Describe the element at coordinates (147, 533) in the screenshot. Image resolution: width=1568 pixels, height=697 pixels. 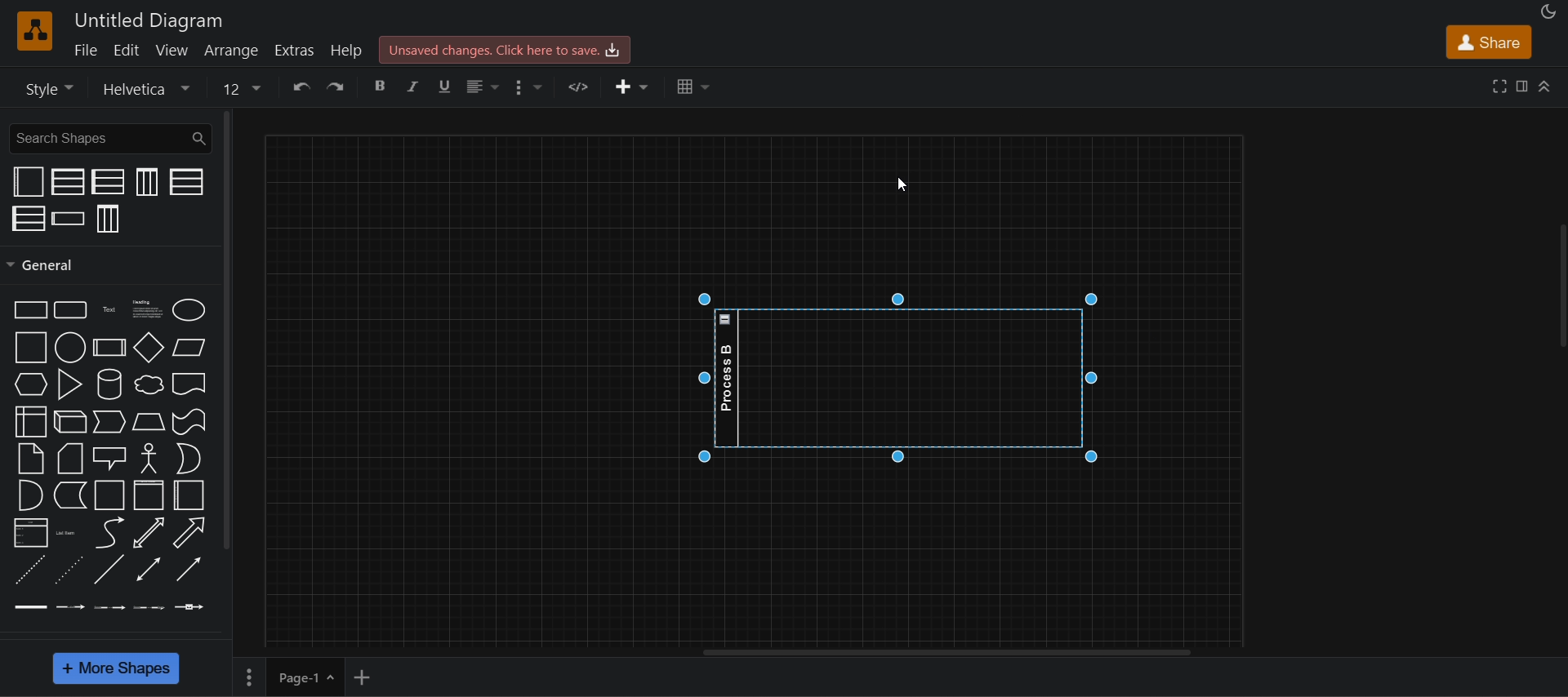
I see `bidirectional arrow` at that location.